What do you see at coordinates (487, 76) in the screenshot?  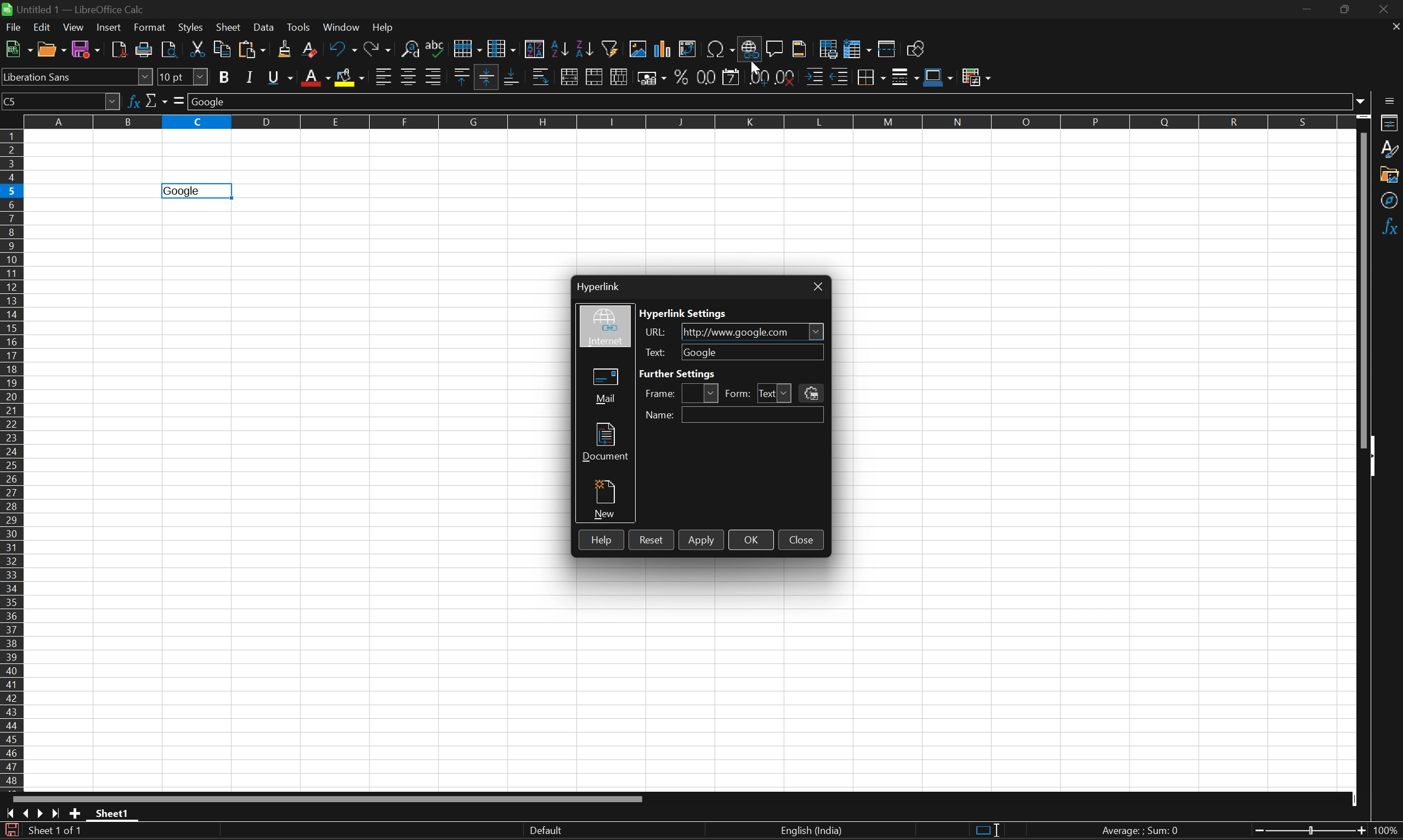 I see `Align vertically` at bounding box center [487, 76].